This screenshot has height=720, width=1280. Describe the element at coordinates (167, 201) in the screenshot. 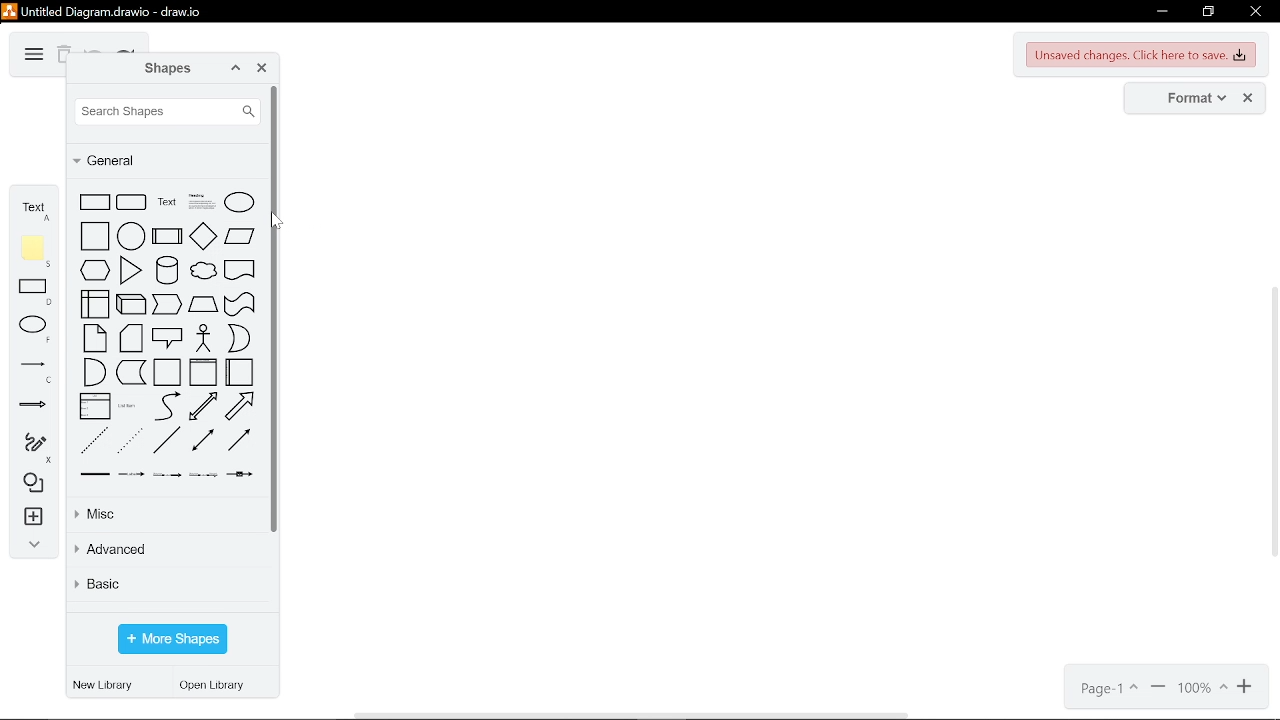

I see `text` at that location.